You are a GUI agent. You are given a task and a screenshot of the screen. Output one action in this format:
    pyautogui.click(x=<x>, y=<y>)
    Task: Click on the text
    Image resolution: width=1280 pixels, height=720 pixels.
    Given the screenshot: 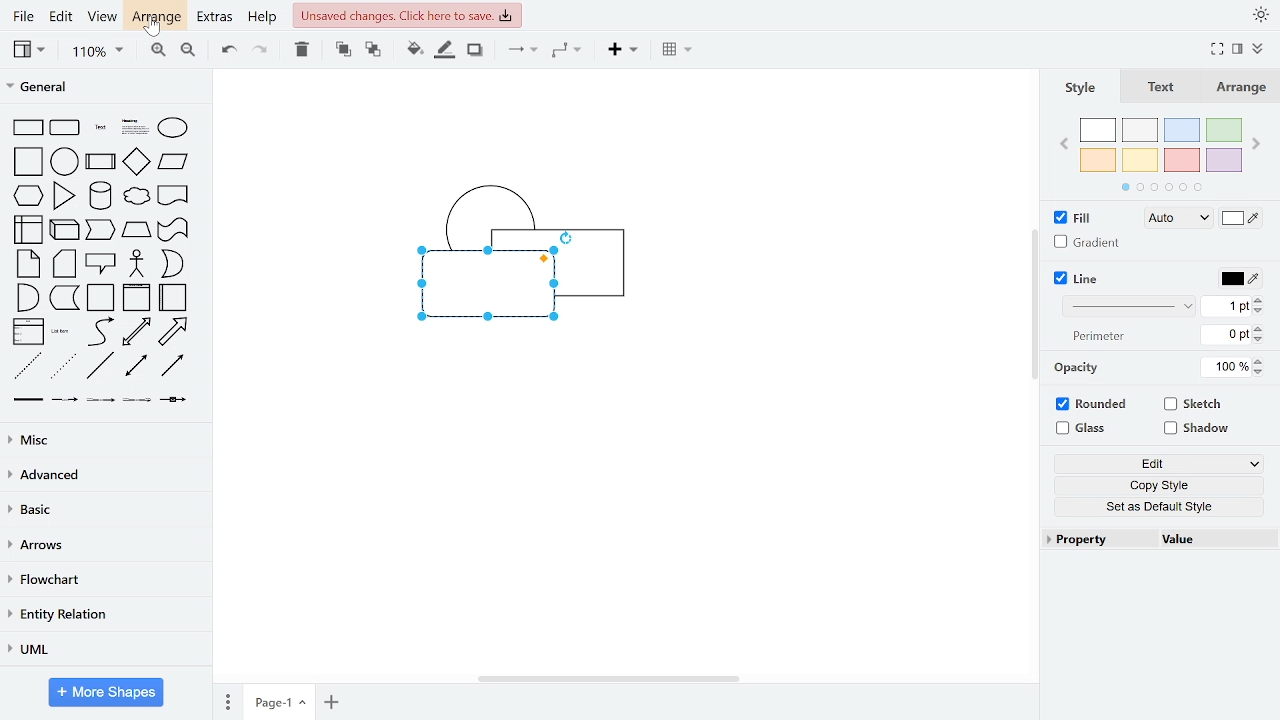 What is the action you would take?
    pyautogui.click(x=99, y=127)
    